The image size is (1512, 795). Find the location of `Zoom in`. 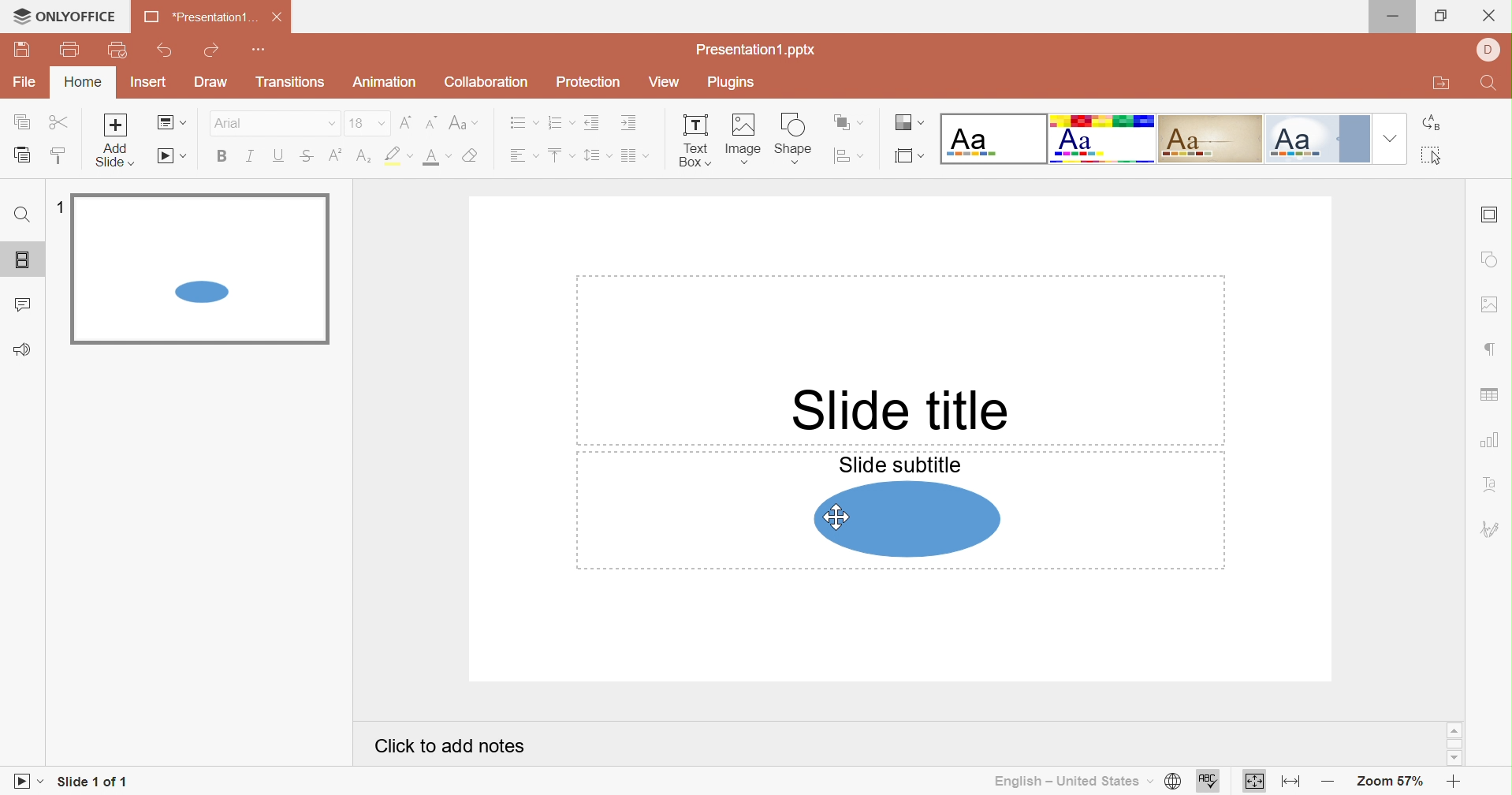

Zoom in is located at coordinates (1451, 783).